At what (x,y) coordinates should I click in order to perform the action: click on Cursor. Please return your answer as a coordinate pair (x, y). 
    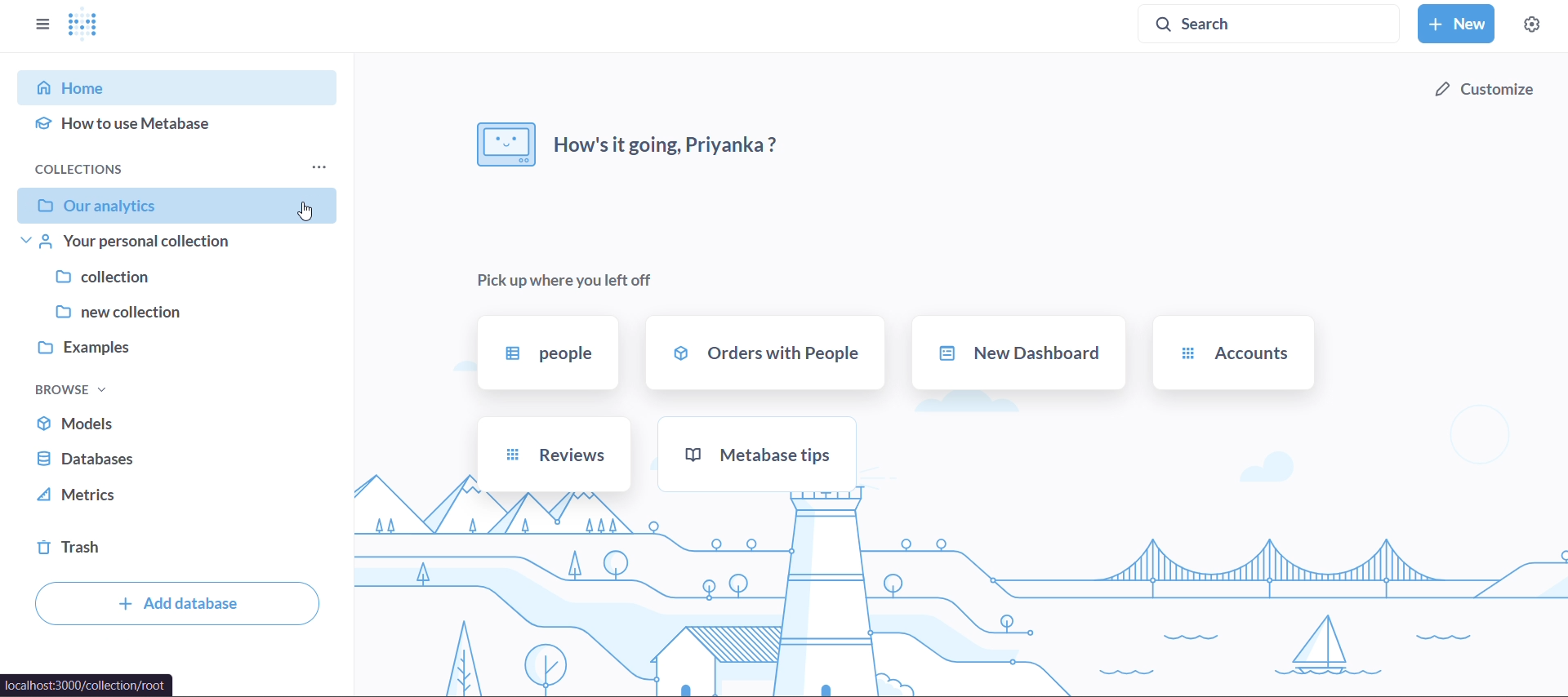
    Looking at the image, I should click on (301, 210).